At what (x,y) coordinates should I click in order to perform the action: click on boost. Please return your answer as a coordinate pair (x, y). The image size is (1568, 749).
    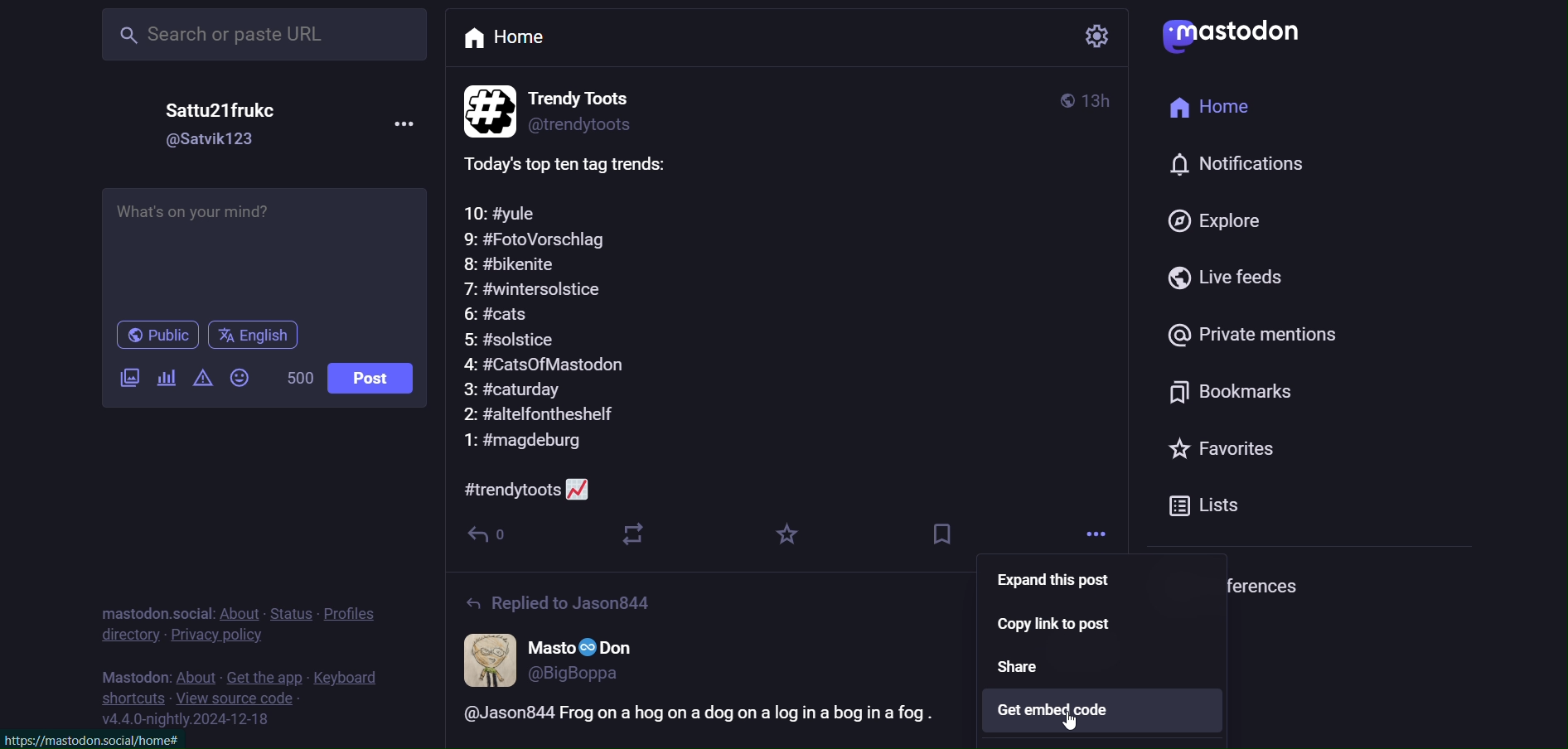
    Looking at the image, I should click on (632, 532).